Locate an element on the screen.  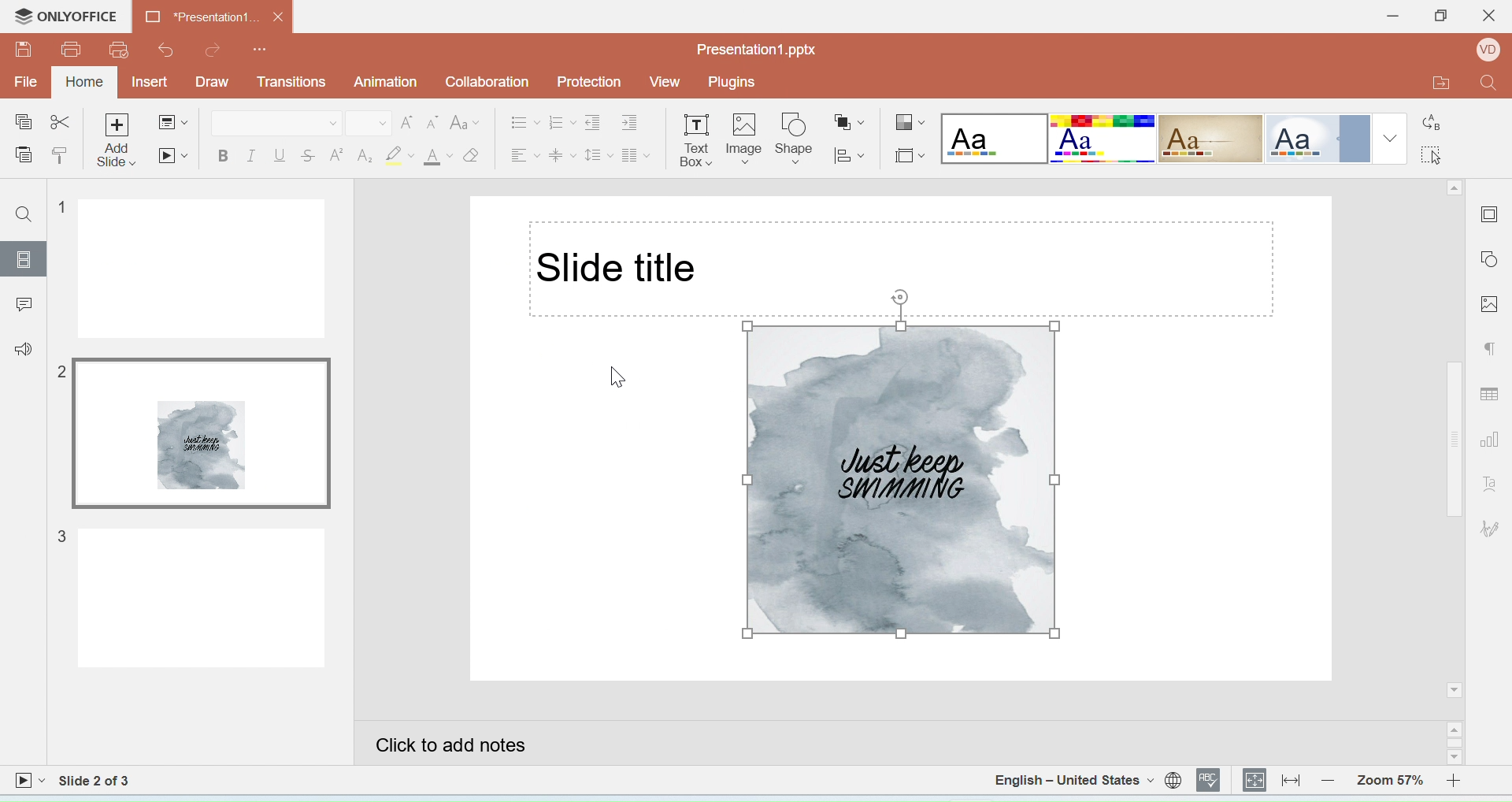
Clear style is located at coordinates (472, 155).